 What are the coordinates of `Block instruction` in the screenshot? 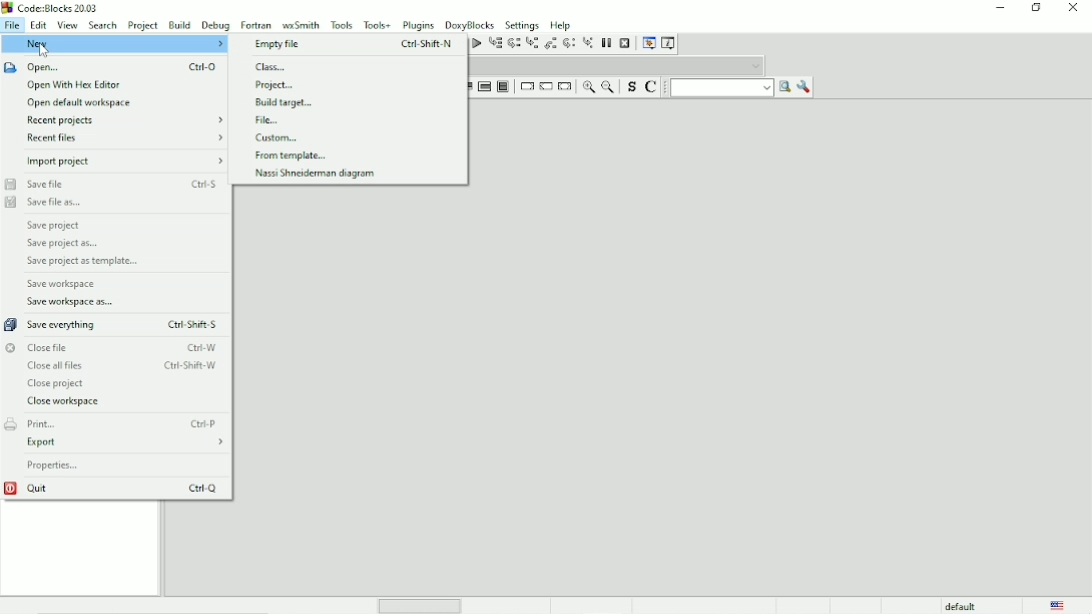 It's located at (503, 87).